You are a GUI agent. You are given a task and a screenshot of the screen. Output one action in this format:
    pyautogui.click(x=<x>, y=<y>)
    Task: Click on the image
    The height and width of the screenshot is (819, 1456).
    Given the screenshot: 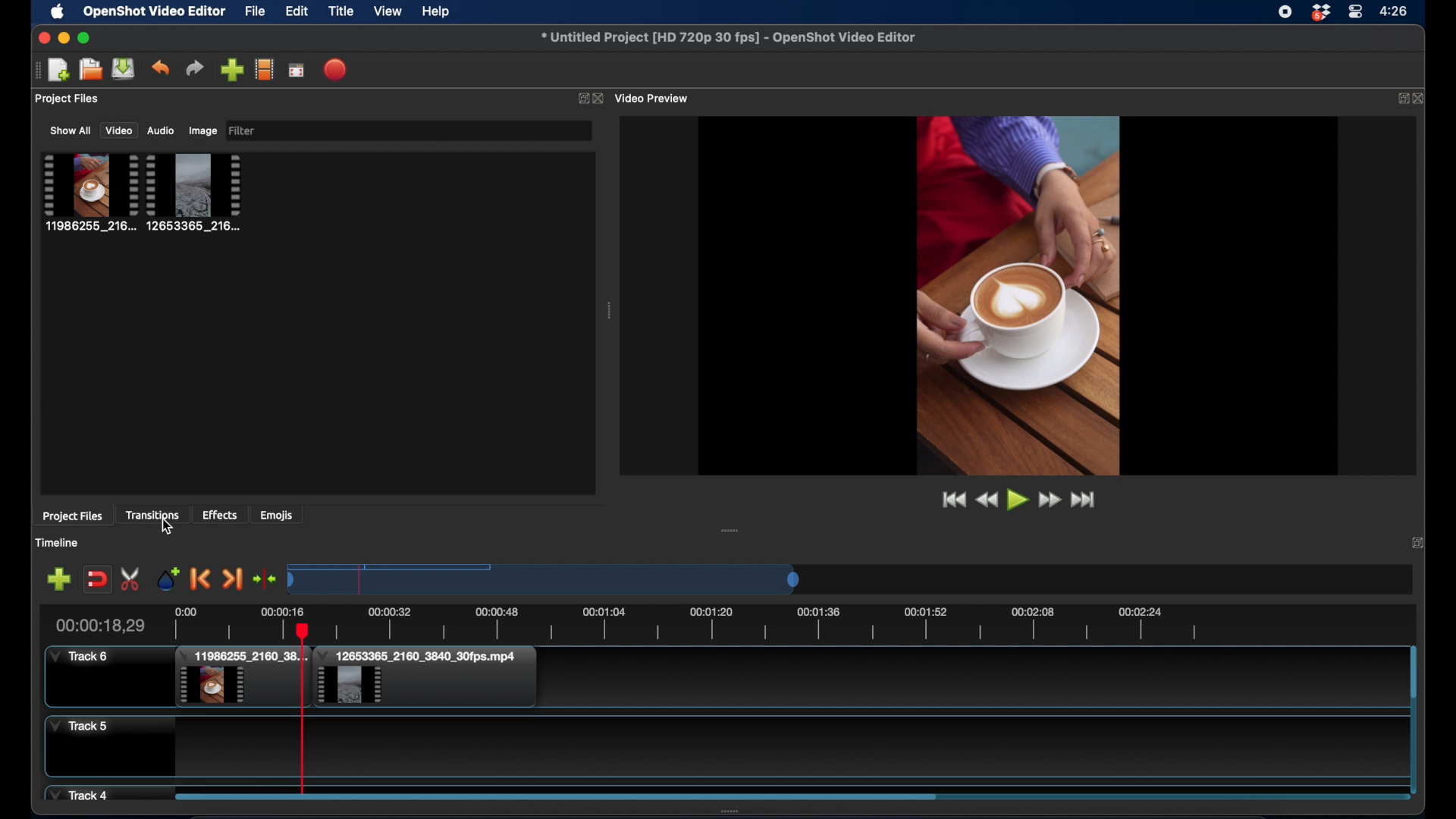 What is the action you would take?
    pyautogui.click(x=202, y=130)
    